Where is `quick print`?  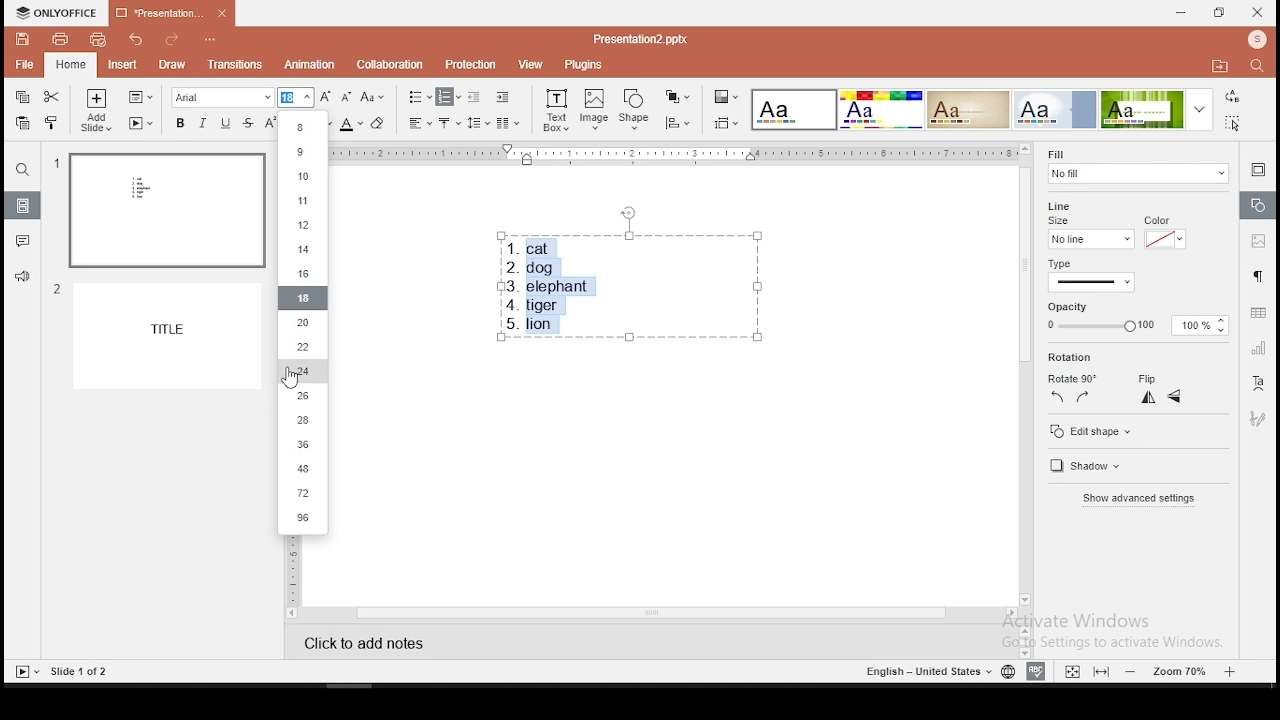
quick print is located at coordinates (98, 39).